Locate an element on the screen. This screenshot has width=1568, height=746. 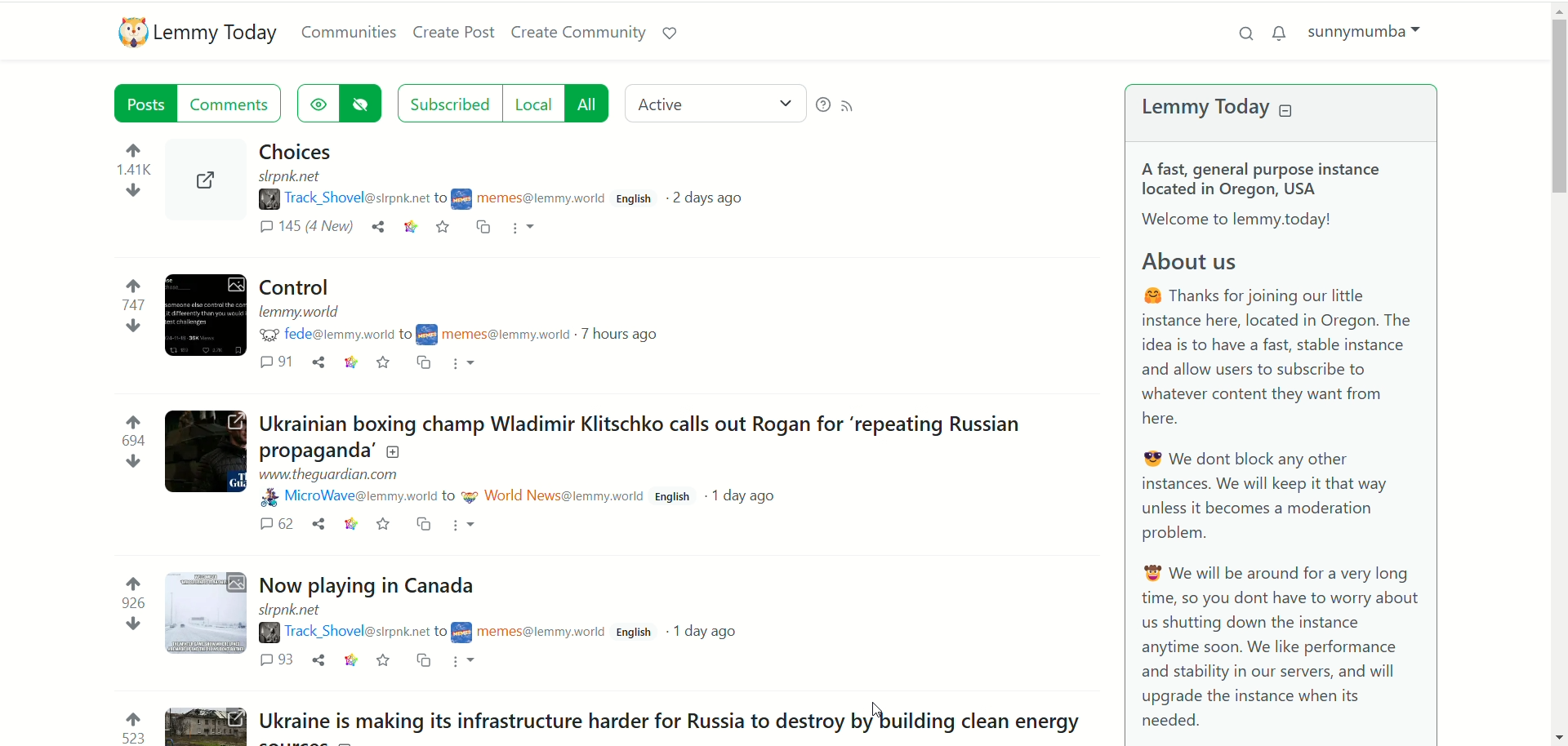
username is located at coordinates (330, 335).